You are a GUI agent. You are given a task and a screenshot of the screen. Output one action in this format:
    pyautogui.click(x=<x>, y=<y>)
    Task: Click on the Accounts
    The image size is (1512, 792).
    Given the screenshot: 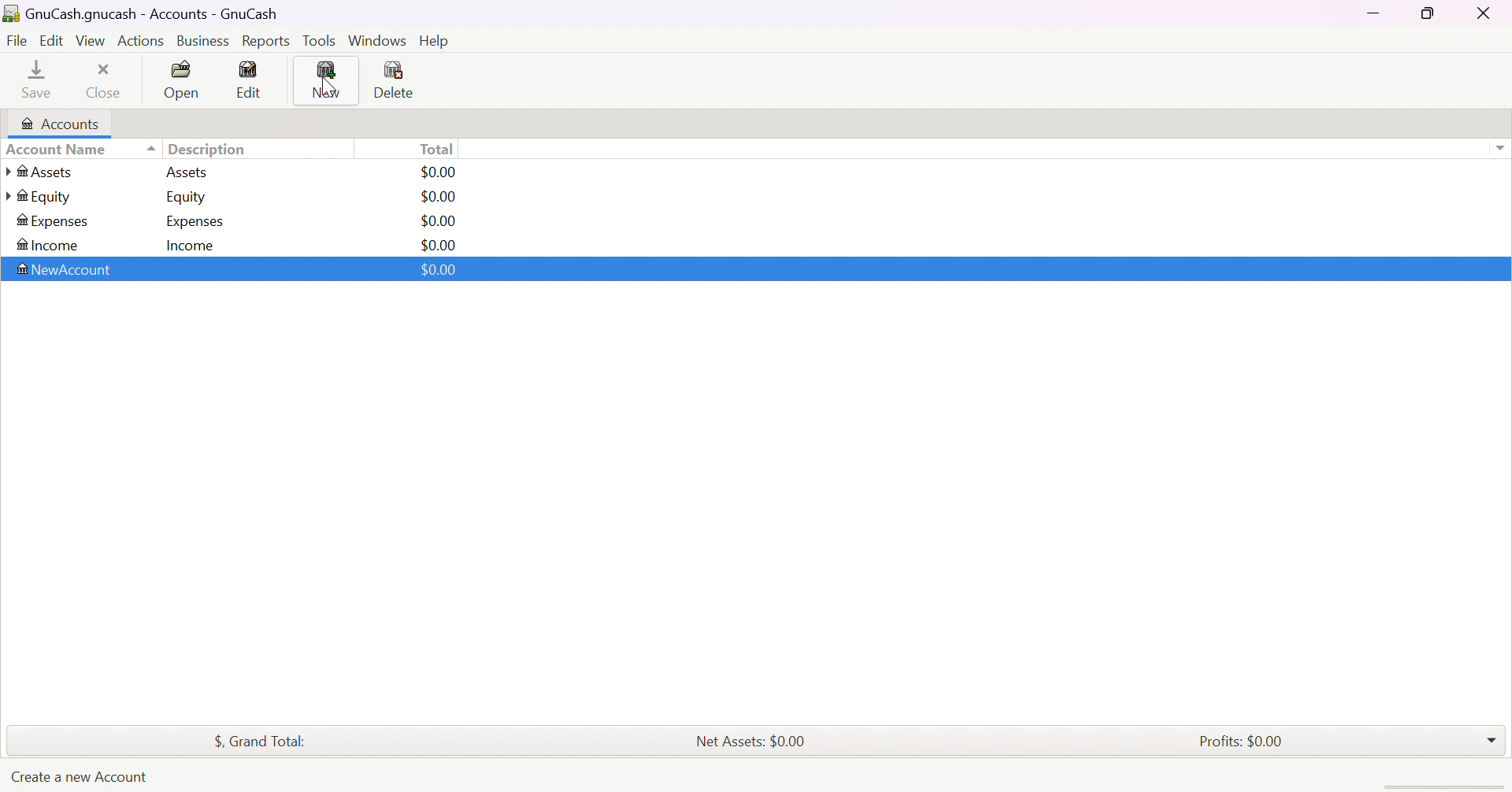 What is the action you would take?
    pyautogui.click(x=63, y=124)
    